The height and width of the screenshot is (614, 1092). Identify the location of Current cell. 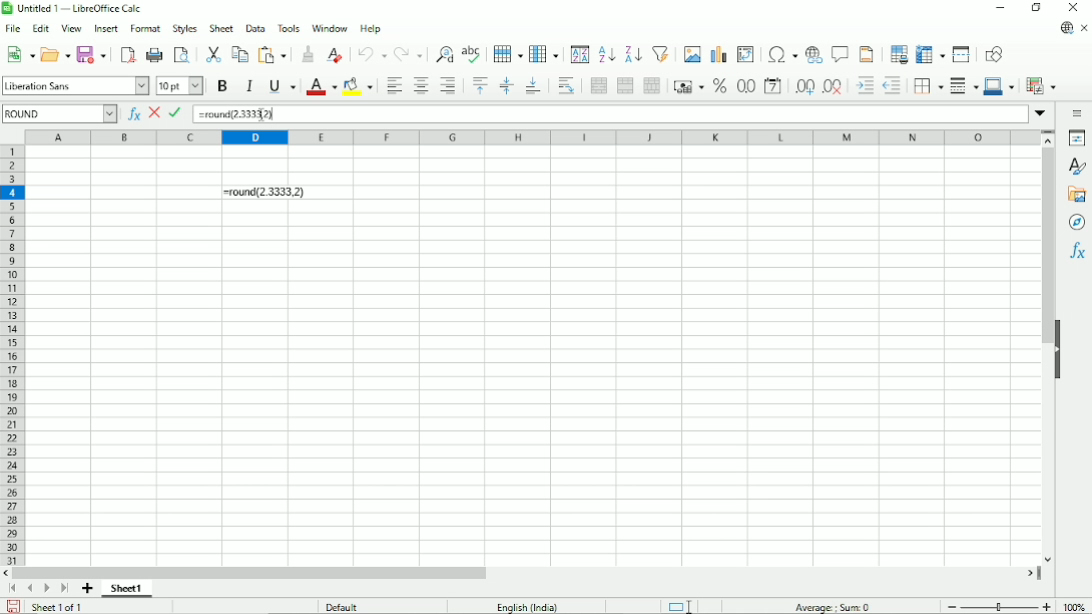
(59, 114).